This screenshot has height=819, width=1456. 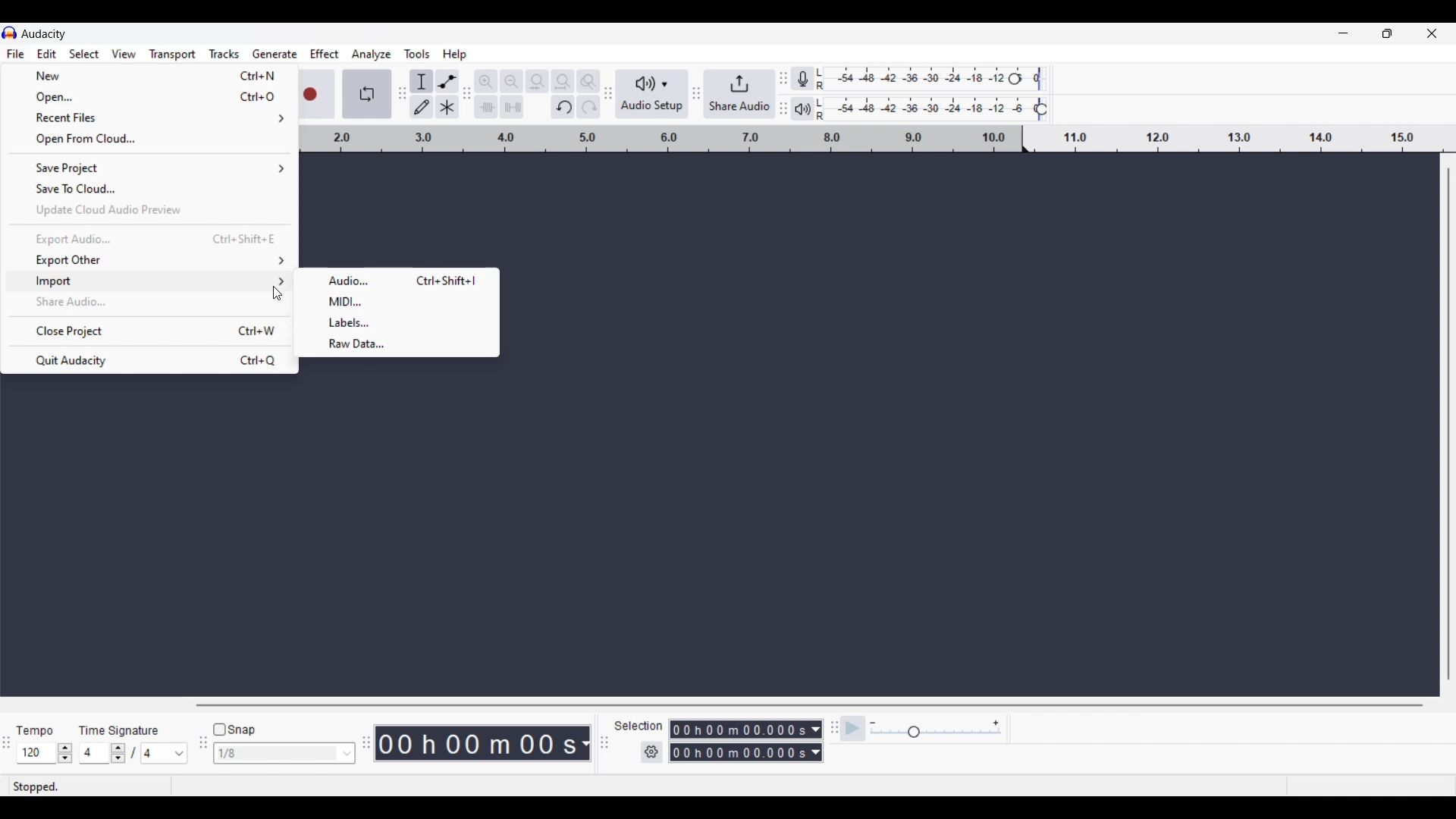 What do you see at coordinates (421, 106) in the screenshot?
I see `Darw tool` at bounding box center [421, 106].